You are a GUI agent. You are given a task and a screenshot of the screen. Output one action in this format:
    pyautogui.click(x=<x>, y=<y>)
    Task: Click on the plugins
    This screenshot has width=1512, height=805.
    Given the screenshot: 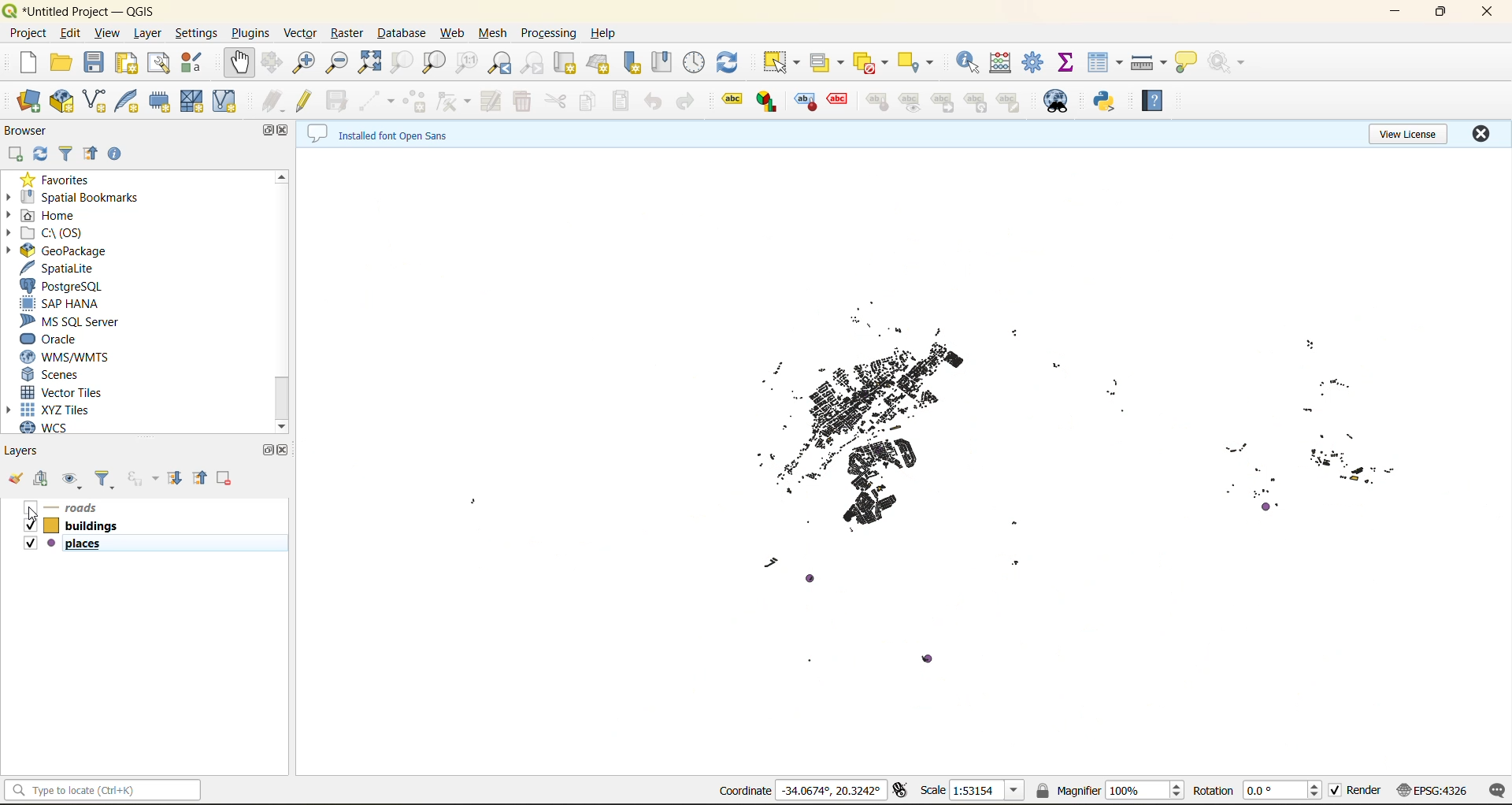 What is the action you would take?
    pyautogui.click(x=254, y=33)
    